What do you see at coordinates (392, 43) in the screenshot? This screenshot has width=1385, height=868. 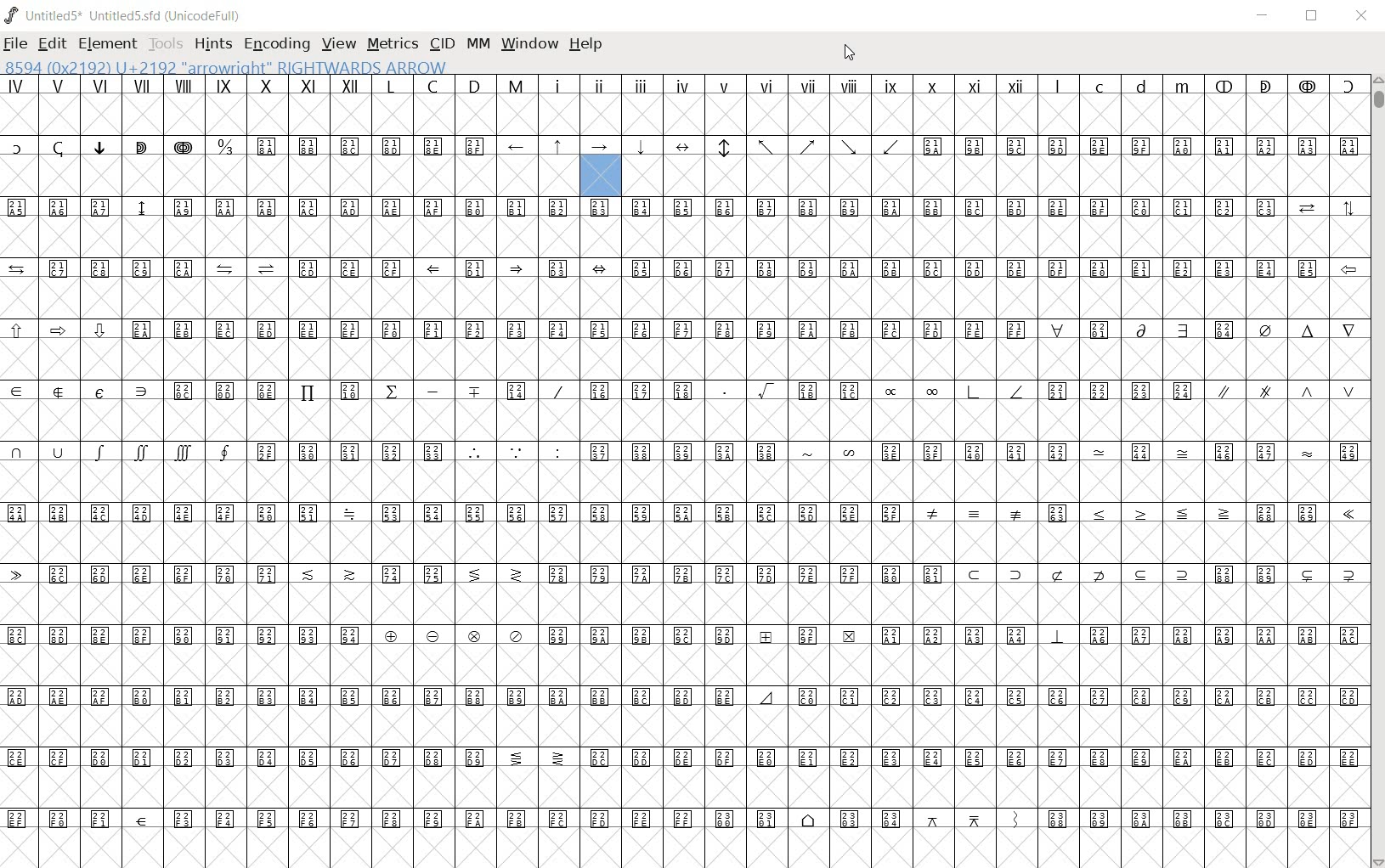 I see `METRICS` at bounding box center [392, 43].